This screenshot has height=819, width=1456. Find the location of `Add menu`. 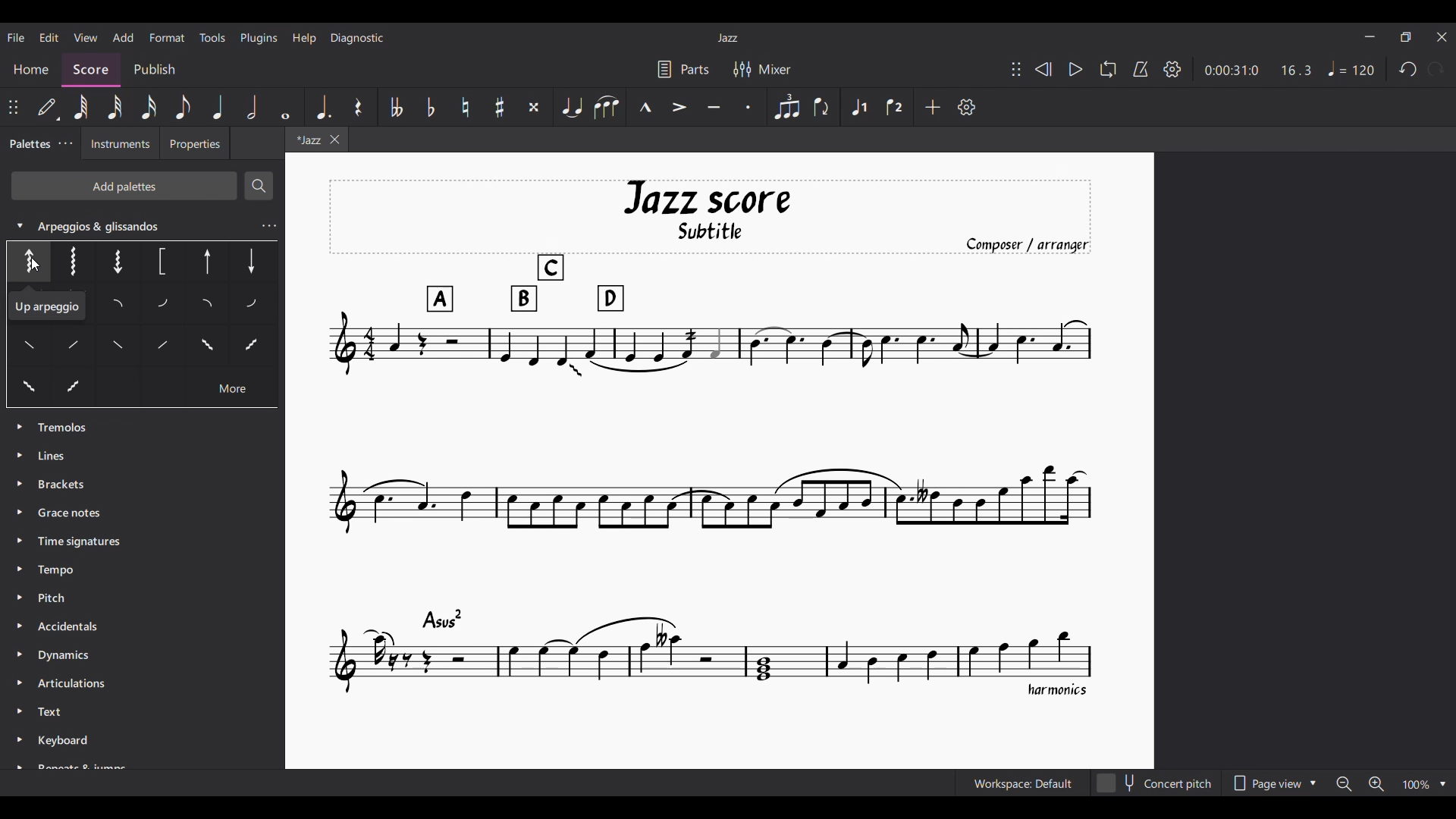

Add menu is located at coordinates (124, 38).